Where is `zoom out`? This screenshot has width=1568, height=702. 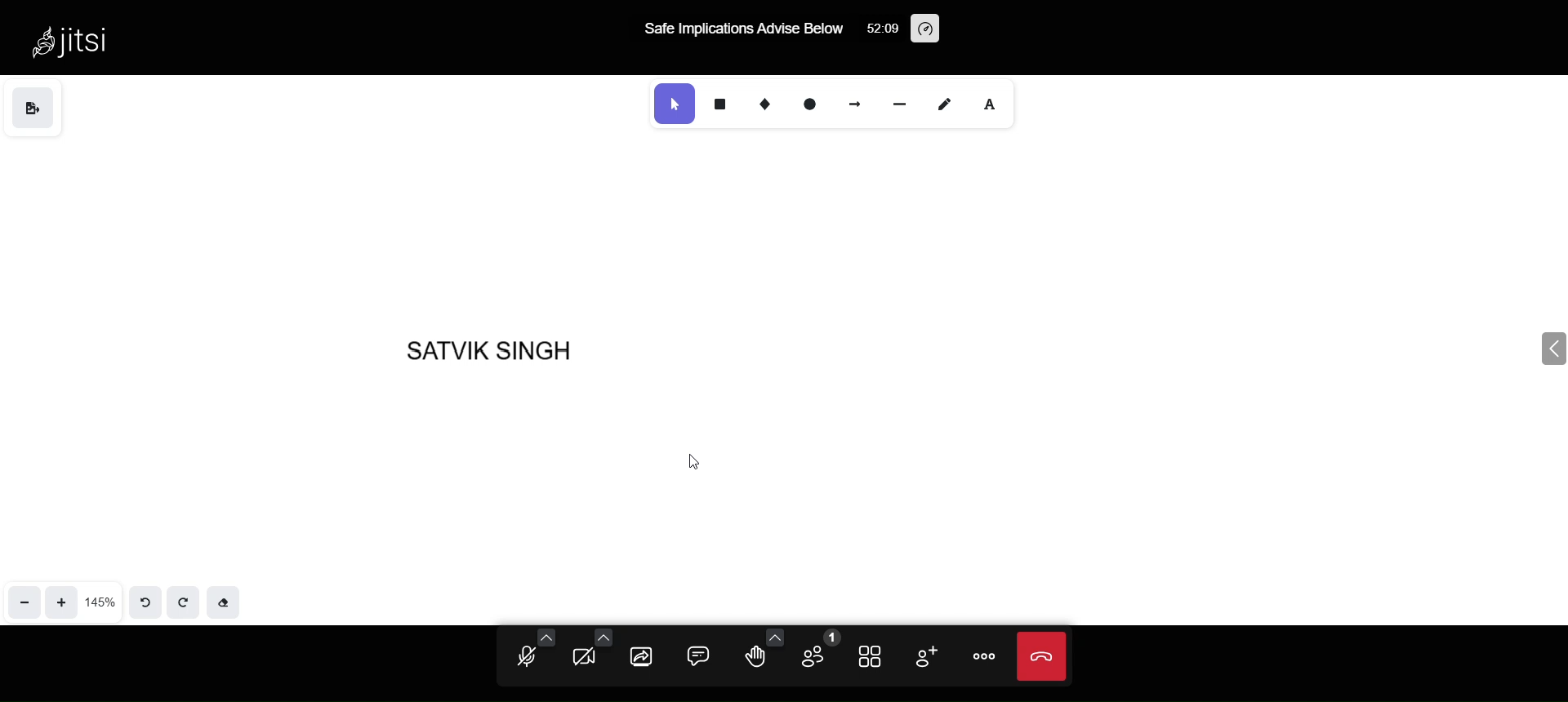 zoom out is located at coordinates (24, 598).